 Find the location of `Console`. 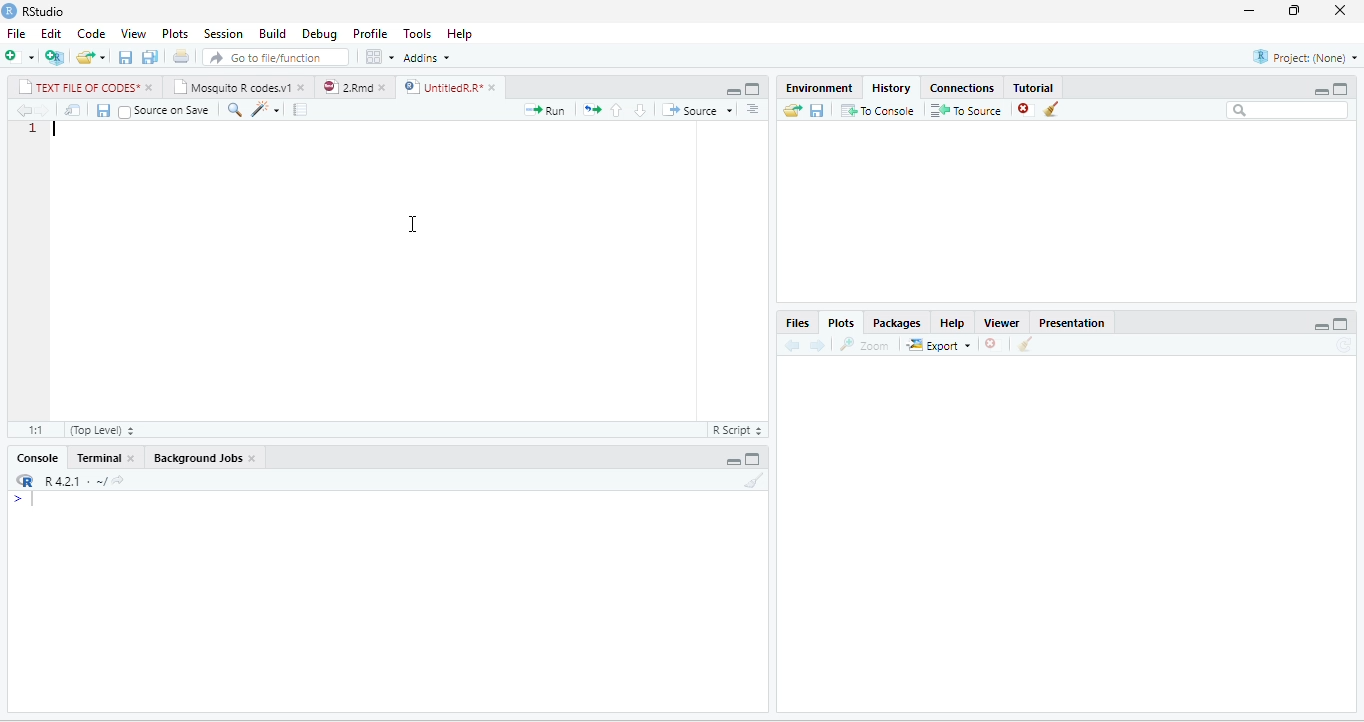

Console is located at coordinates (37, 458).